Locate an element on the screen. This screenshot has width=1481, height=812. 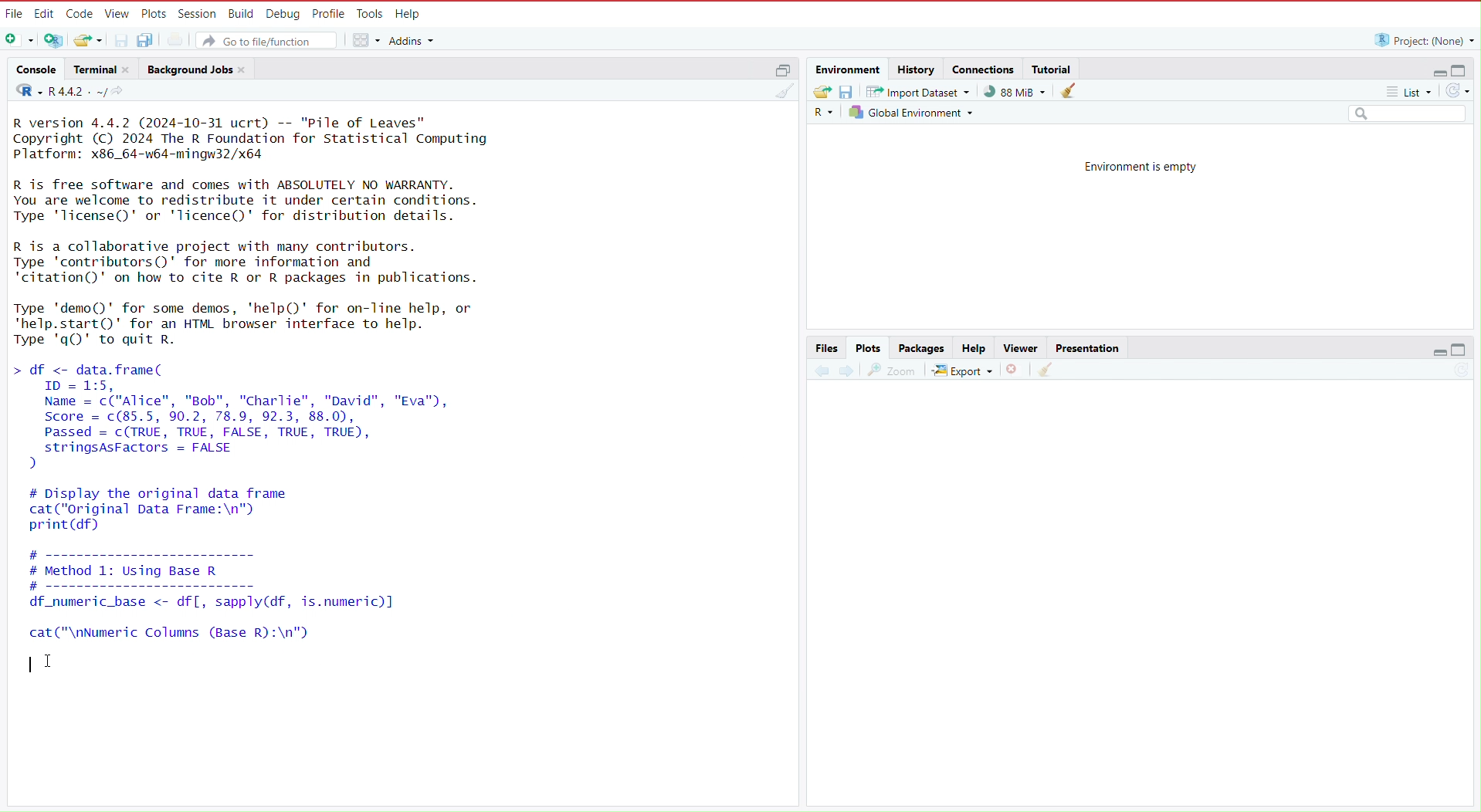
# Display the original data framecat("original Data Frame:\n")print (df)  # ----------------------  # Method 1: Using Base R  #------------------ is located at coordinates (252, 538).